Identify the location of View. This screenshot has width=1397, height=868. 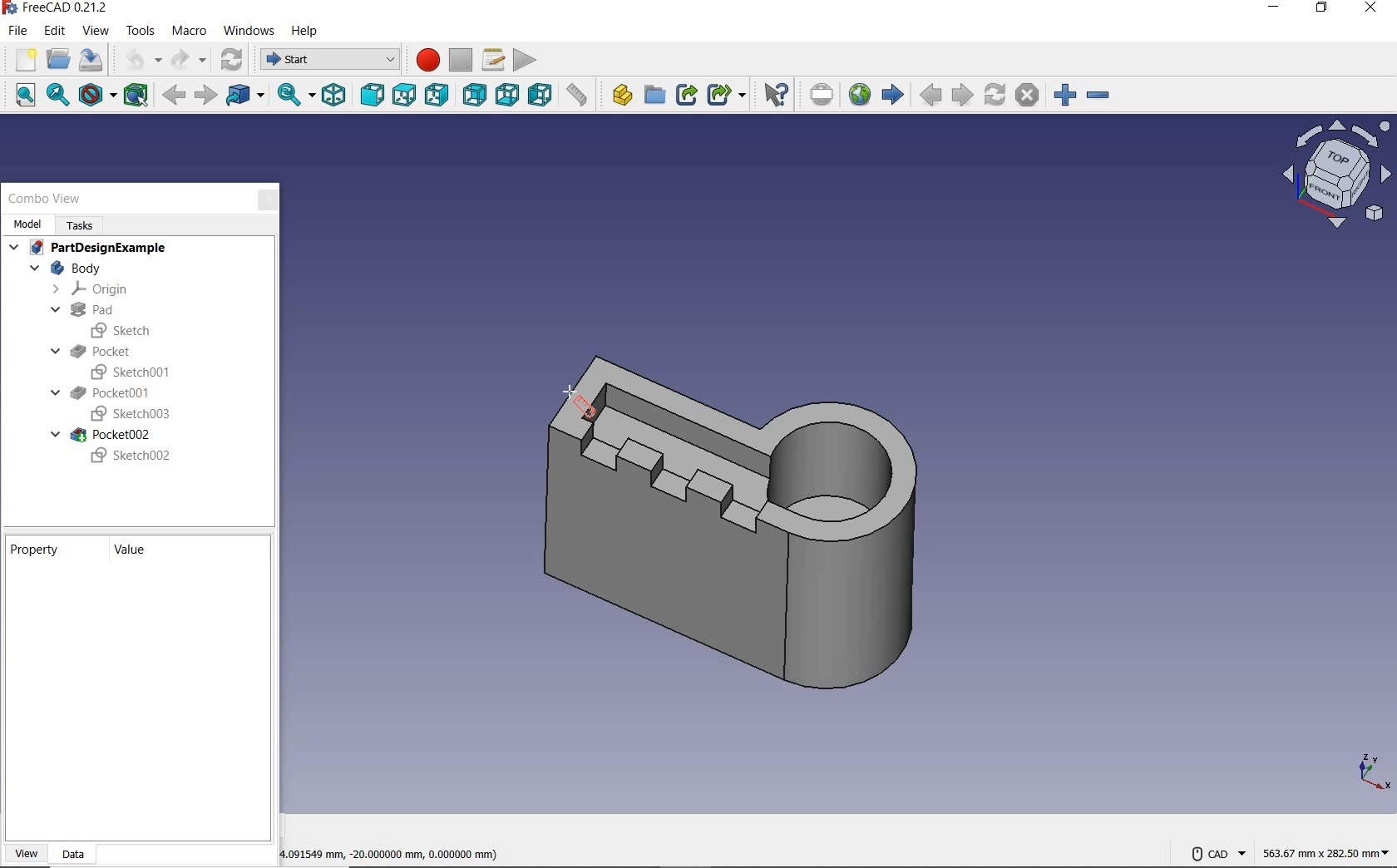
(27, 854).